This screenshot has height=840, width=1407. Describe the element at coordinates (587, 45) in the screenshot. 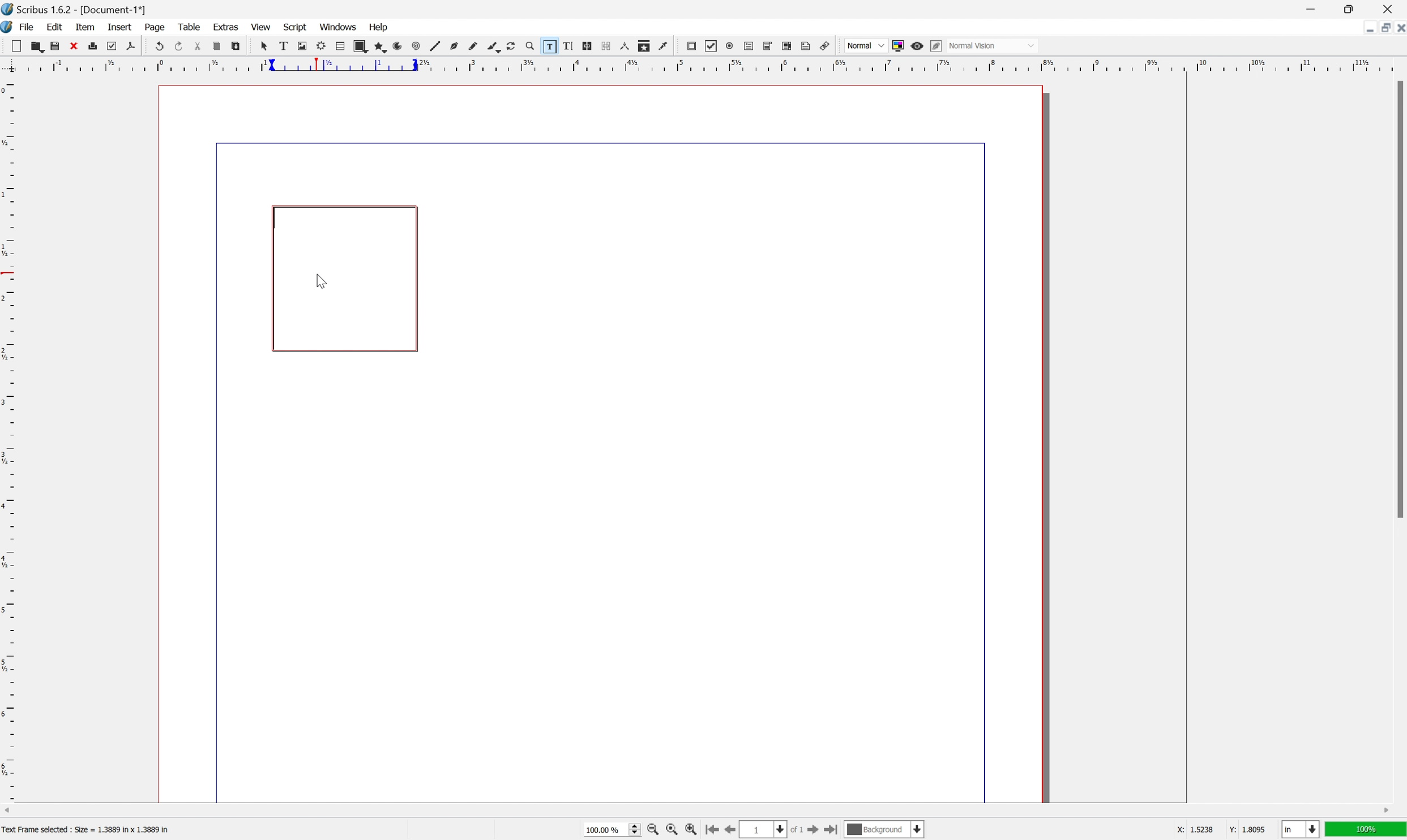

I see `link text frames` at that location.